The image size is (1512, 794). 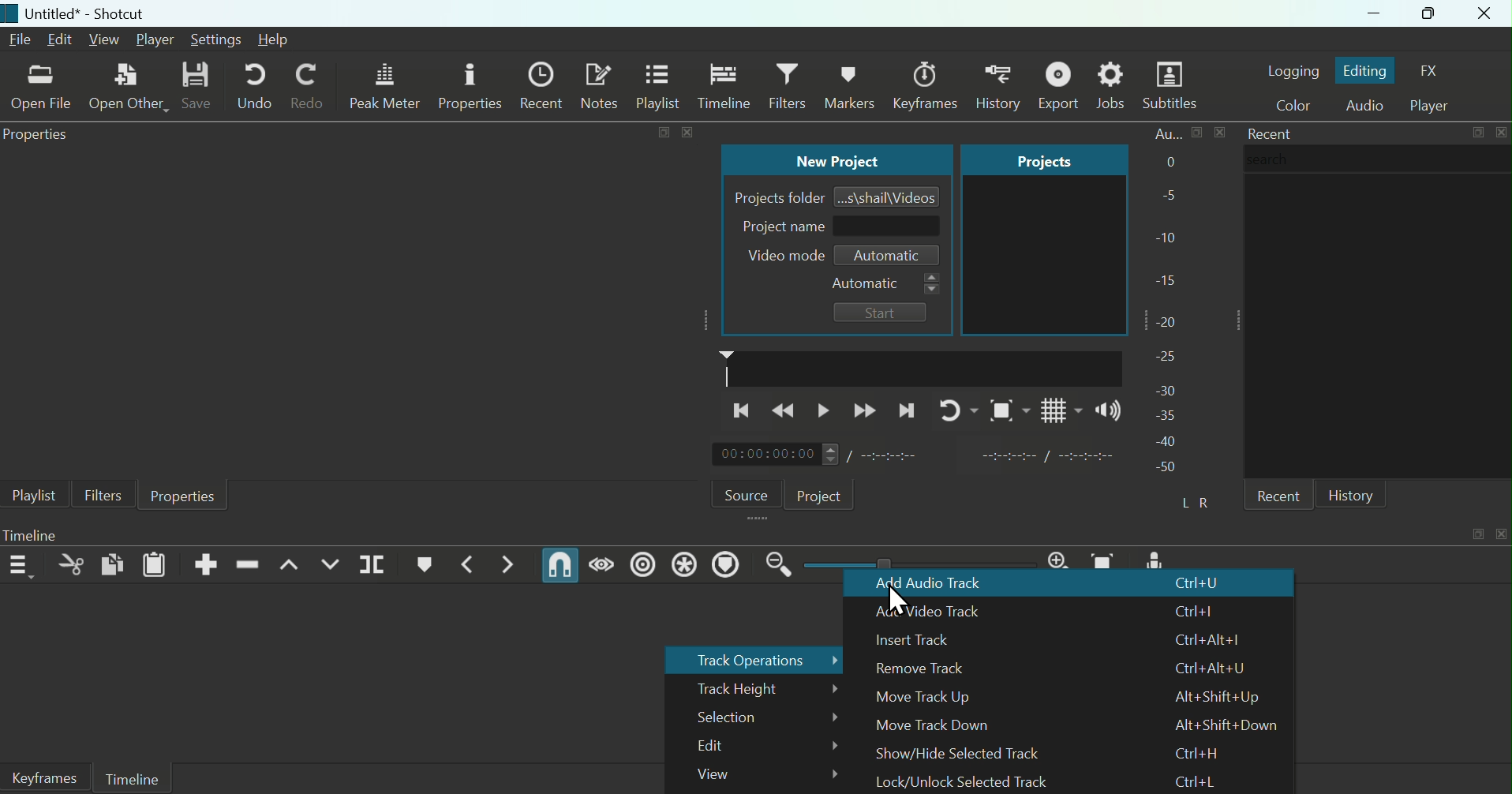 I want to click on Lift, so click(x=288, y=564).